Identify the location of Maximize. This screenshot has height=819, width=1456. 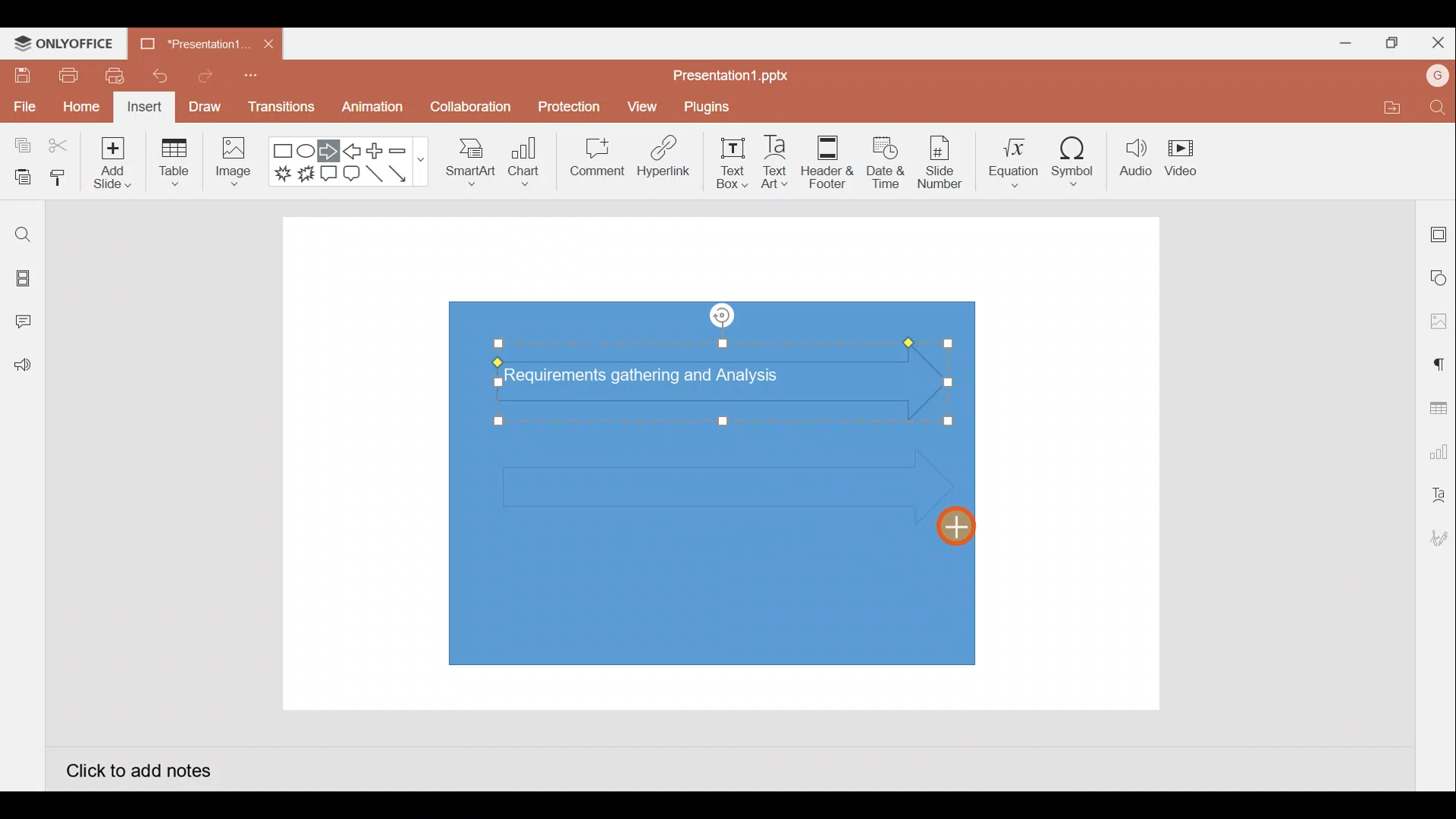
(1388, 43).